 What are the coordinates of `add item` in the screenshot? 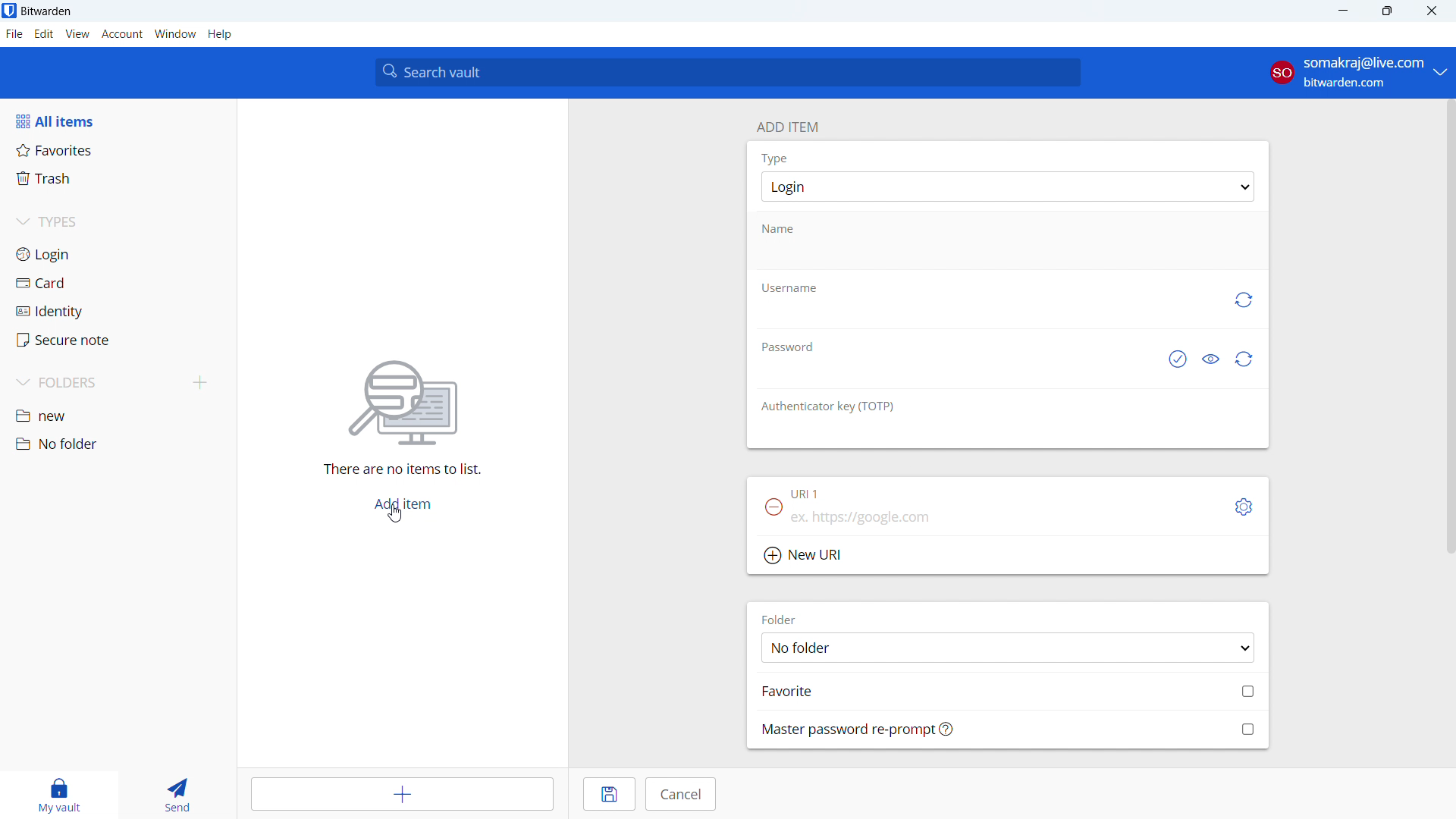 It's located at (786, 125).